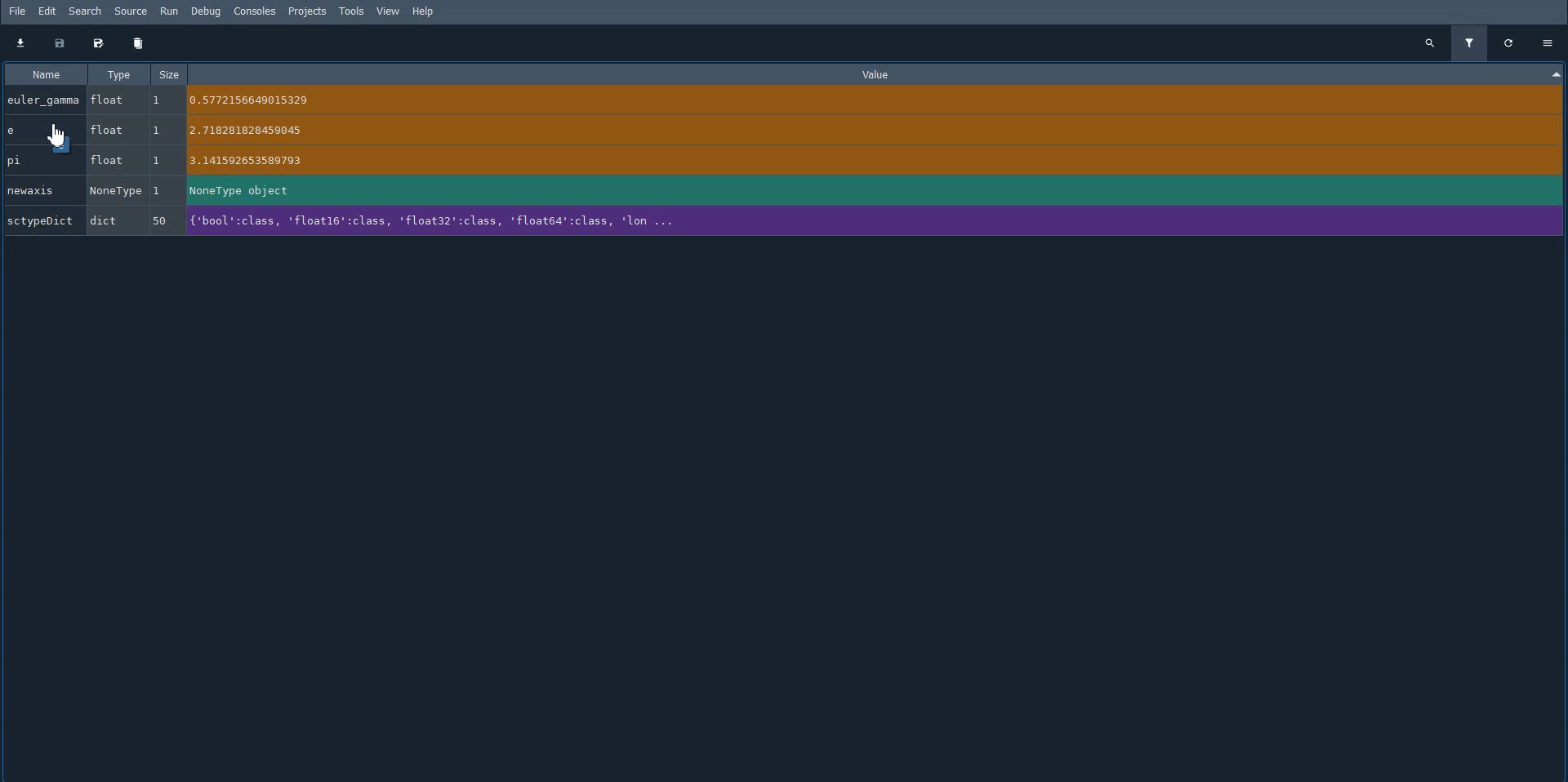 This screenshot has height=782, width=1568. I want to click on Run, so click(170, 11).